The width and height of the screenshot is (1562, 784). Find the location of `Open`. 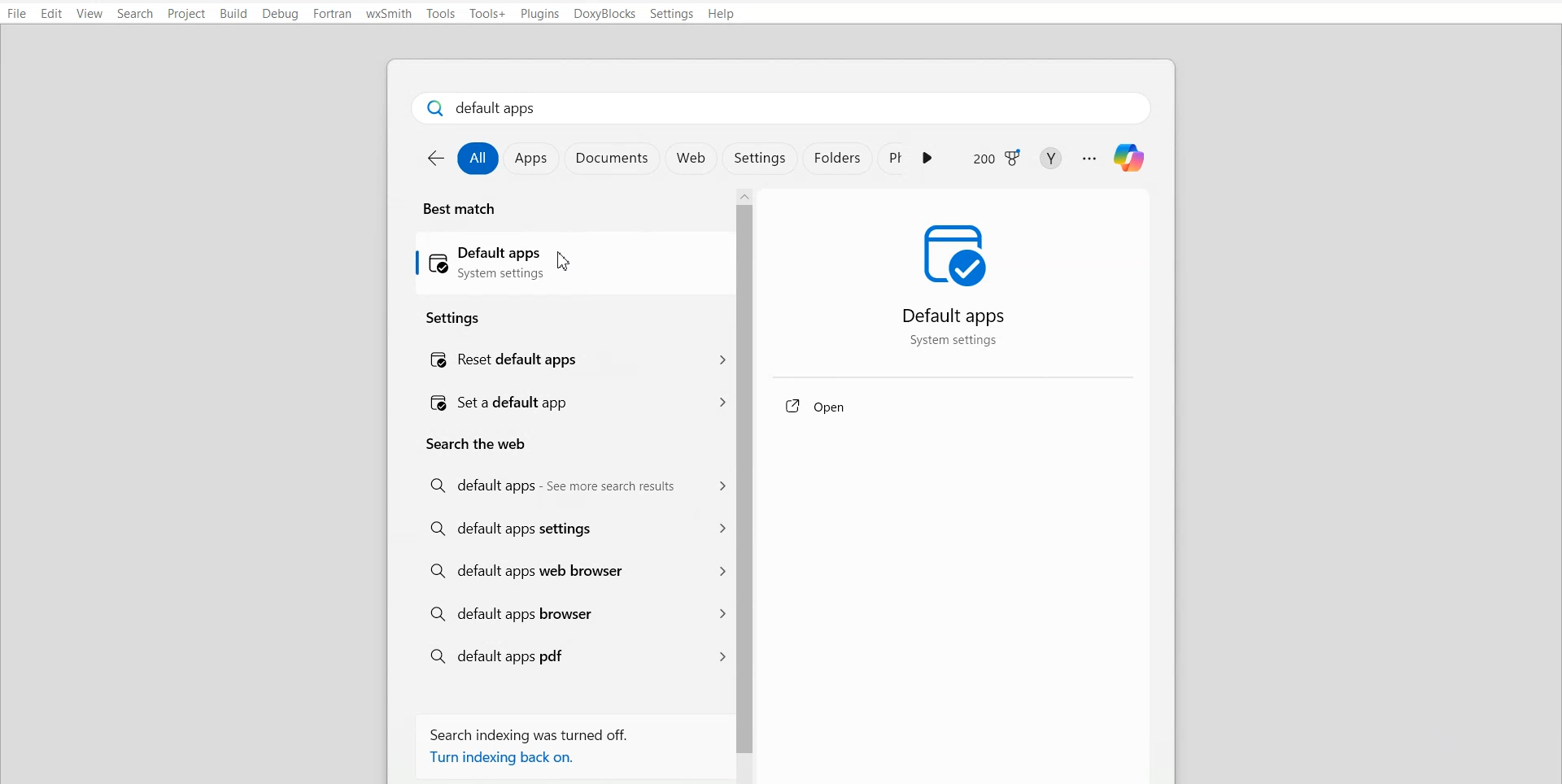

Open is located at coordinates (816, 407).